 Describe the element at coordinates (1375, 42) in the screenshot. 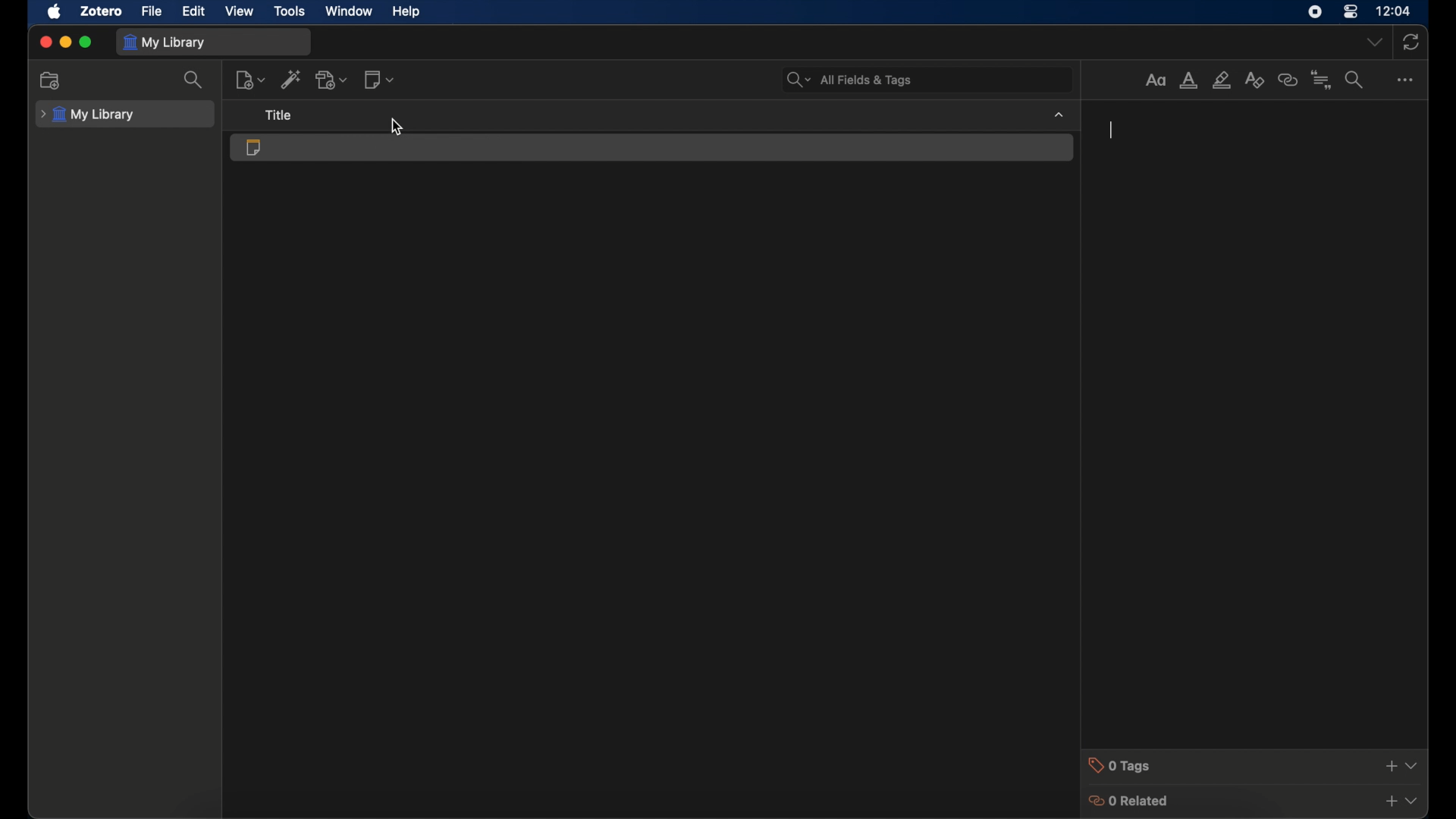

I see `dropdown` at that location.